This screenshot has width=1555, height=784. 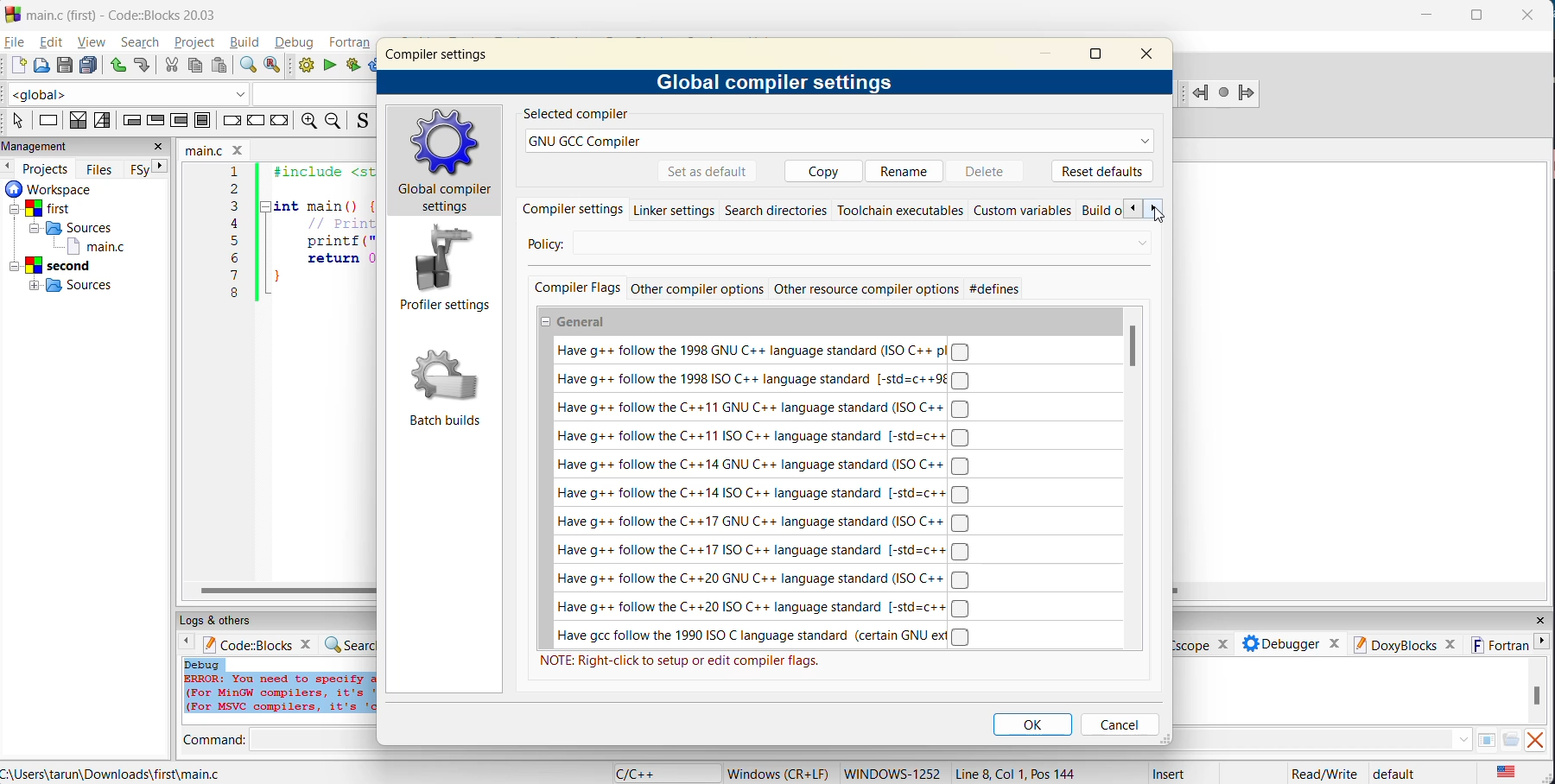 I want to click on C:\Users\tarun\Downloads\first\main.c, so click(x=122, y=772).